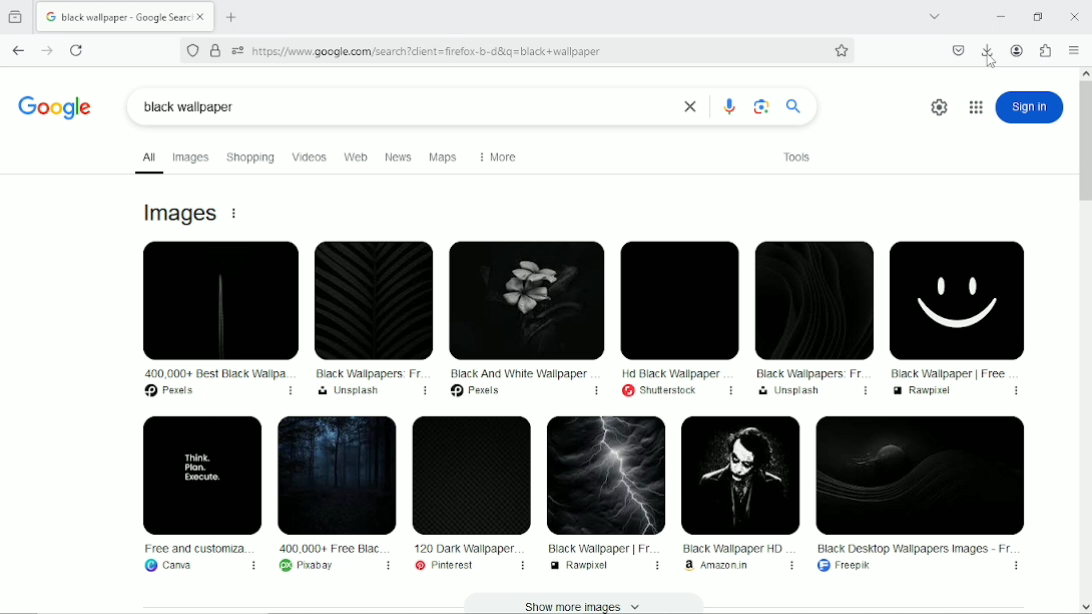 This screenshot has height=614, width=1092. What do you see at coordinates (444, 156) in the screenshot?
I see `Maps` at bounding box center [444, 156].